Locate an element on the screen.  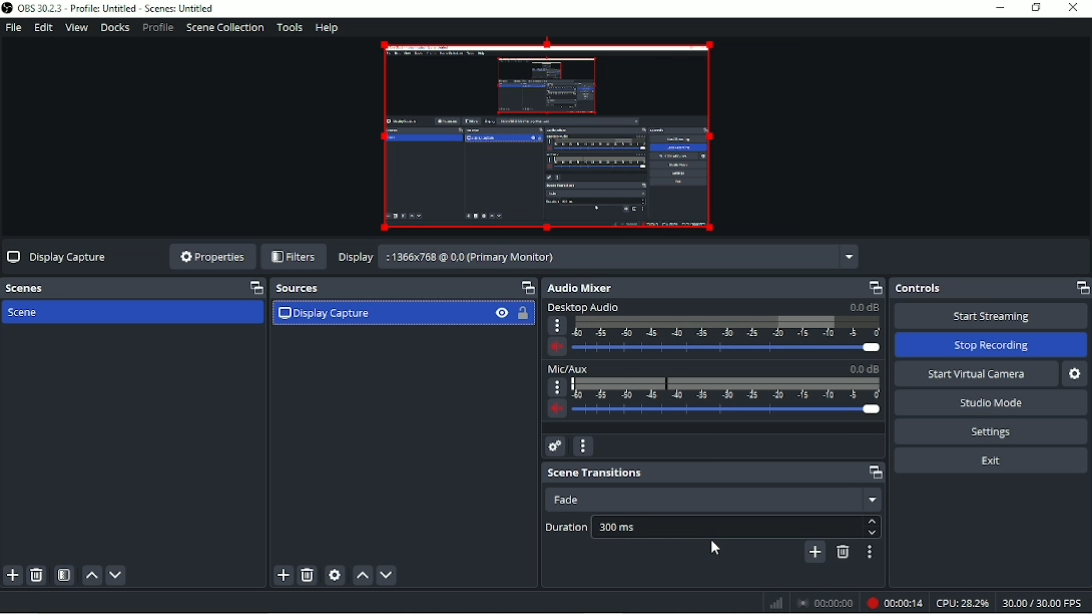
Video Centered  is located at coordinates (551, 136).